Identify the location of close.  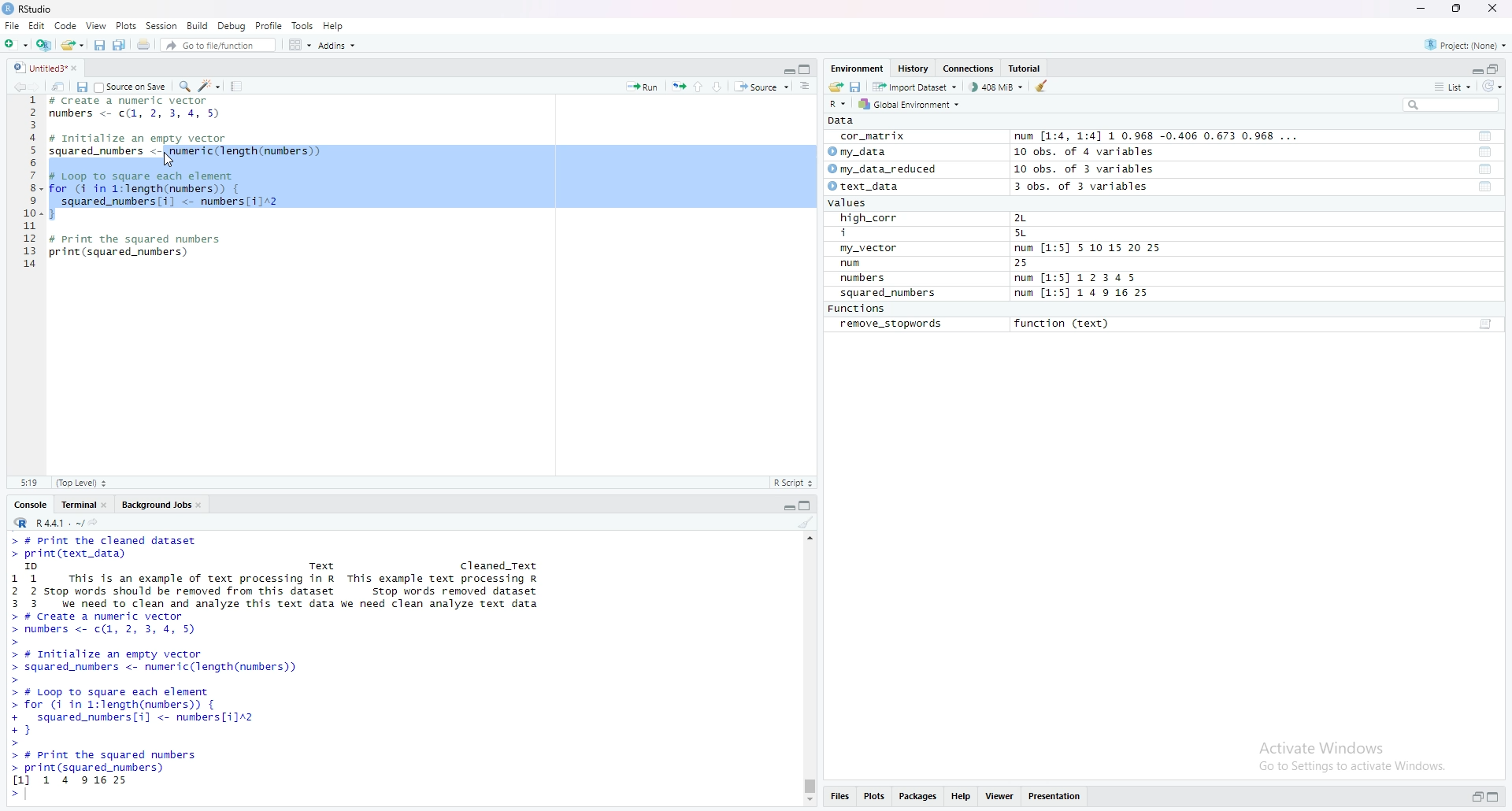
(107, 503).